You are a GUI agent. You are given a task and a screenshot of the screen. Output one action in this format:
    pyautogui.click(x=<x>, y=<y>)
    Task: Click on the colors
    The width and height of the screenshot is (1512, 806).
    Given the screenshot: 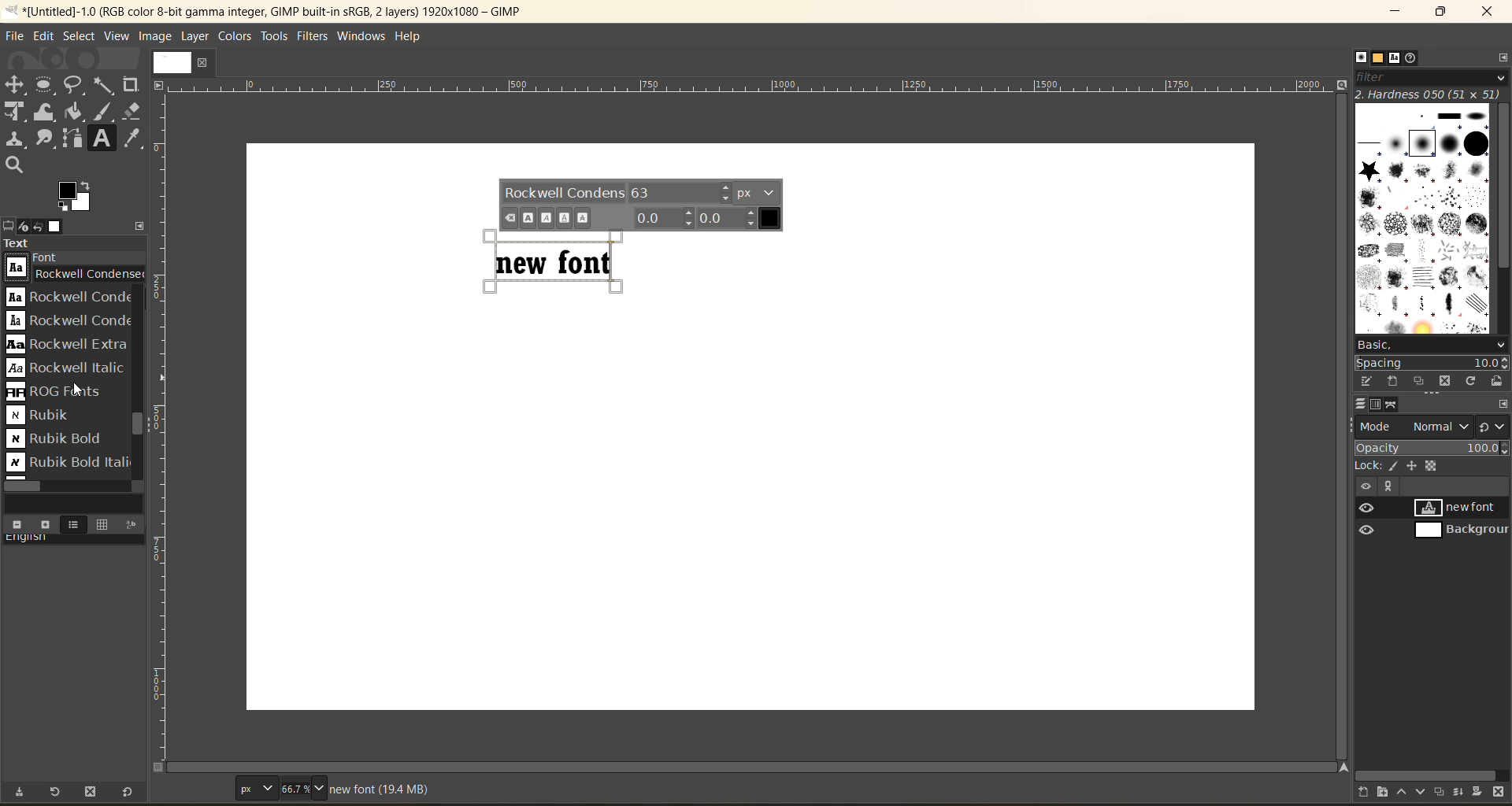 What is the action you would take?
    pyautogui.click(x=235, y=38)
    